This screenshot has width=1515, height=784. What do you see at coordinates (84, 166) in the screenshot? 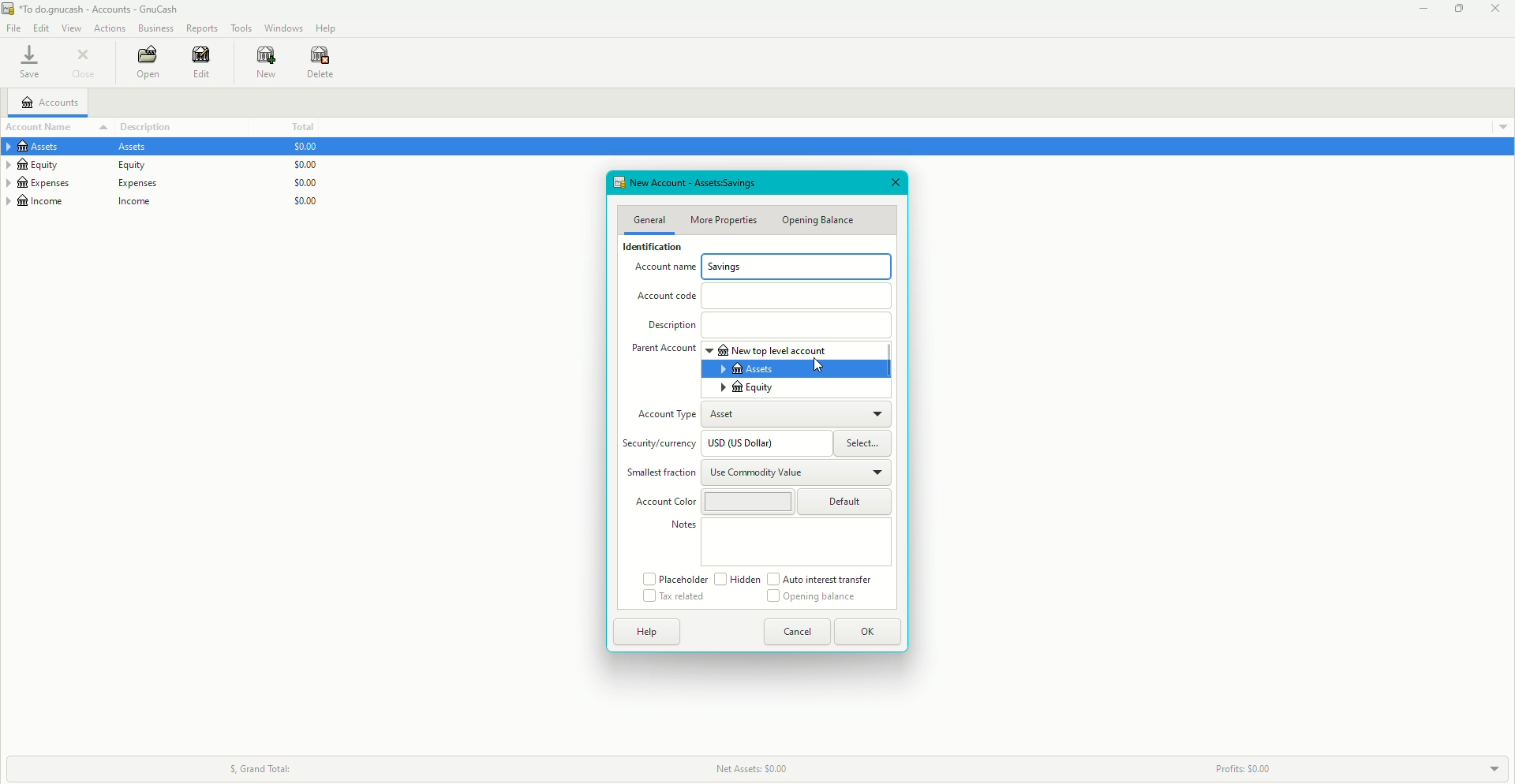
I see `Equity` at bounding box center [84, 166].